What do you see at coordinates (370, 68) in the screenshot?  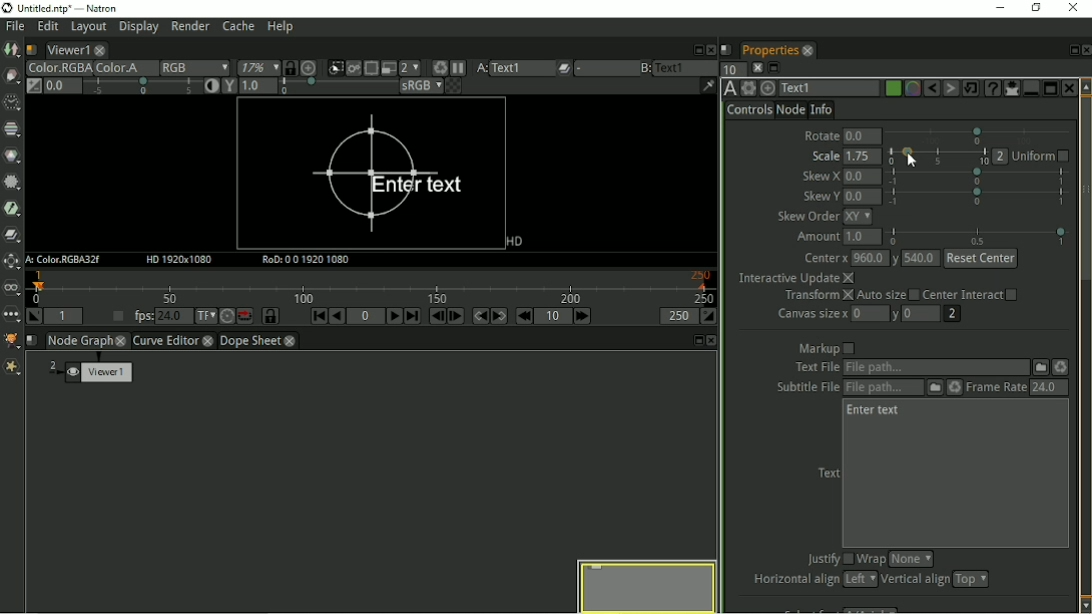 I see `limit portion of viewer` at bounding box center [370, 68].